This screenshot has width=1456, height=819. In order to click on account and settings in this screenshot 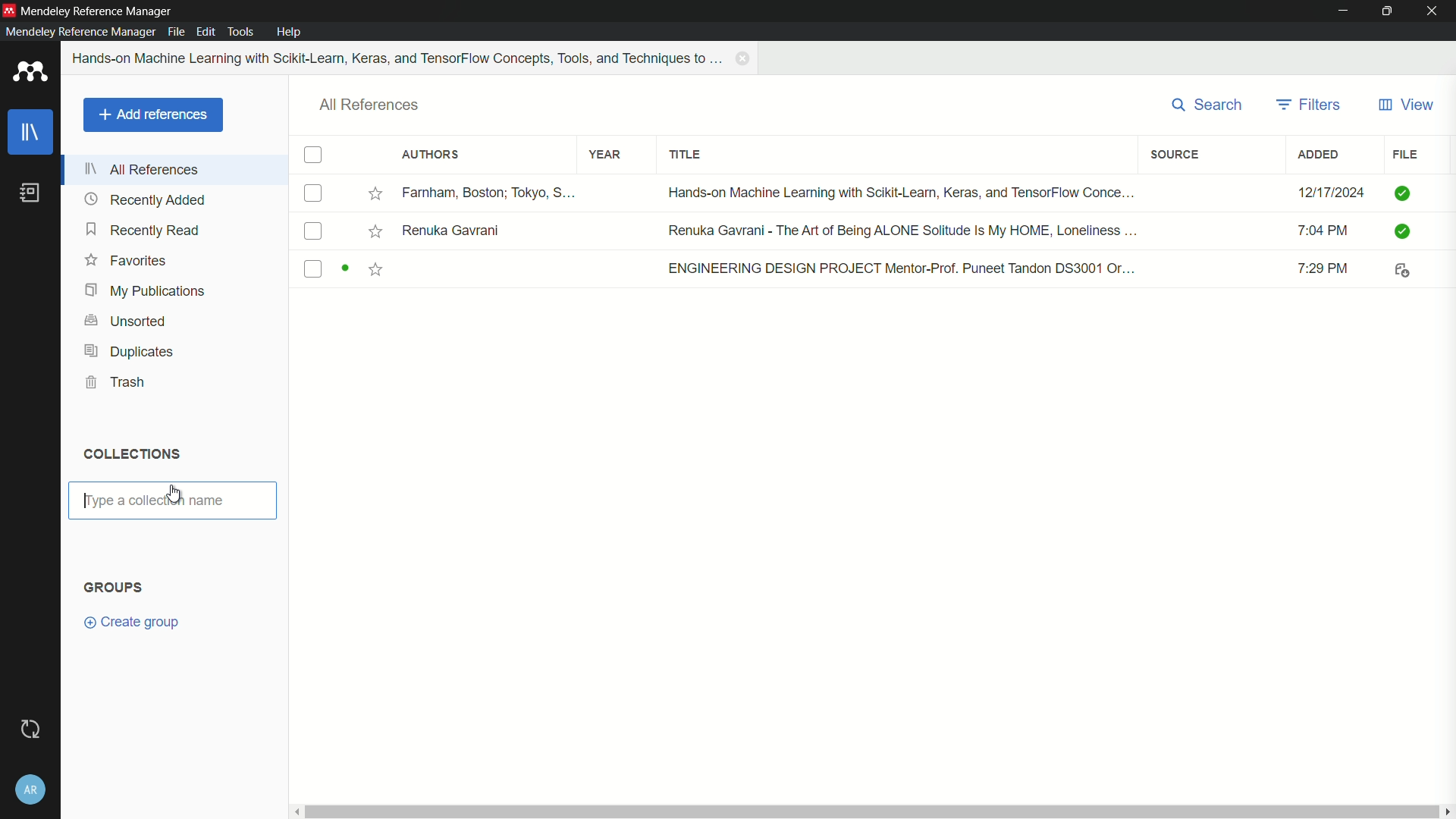, I will do `click(29, 789)`.